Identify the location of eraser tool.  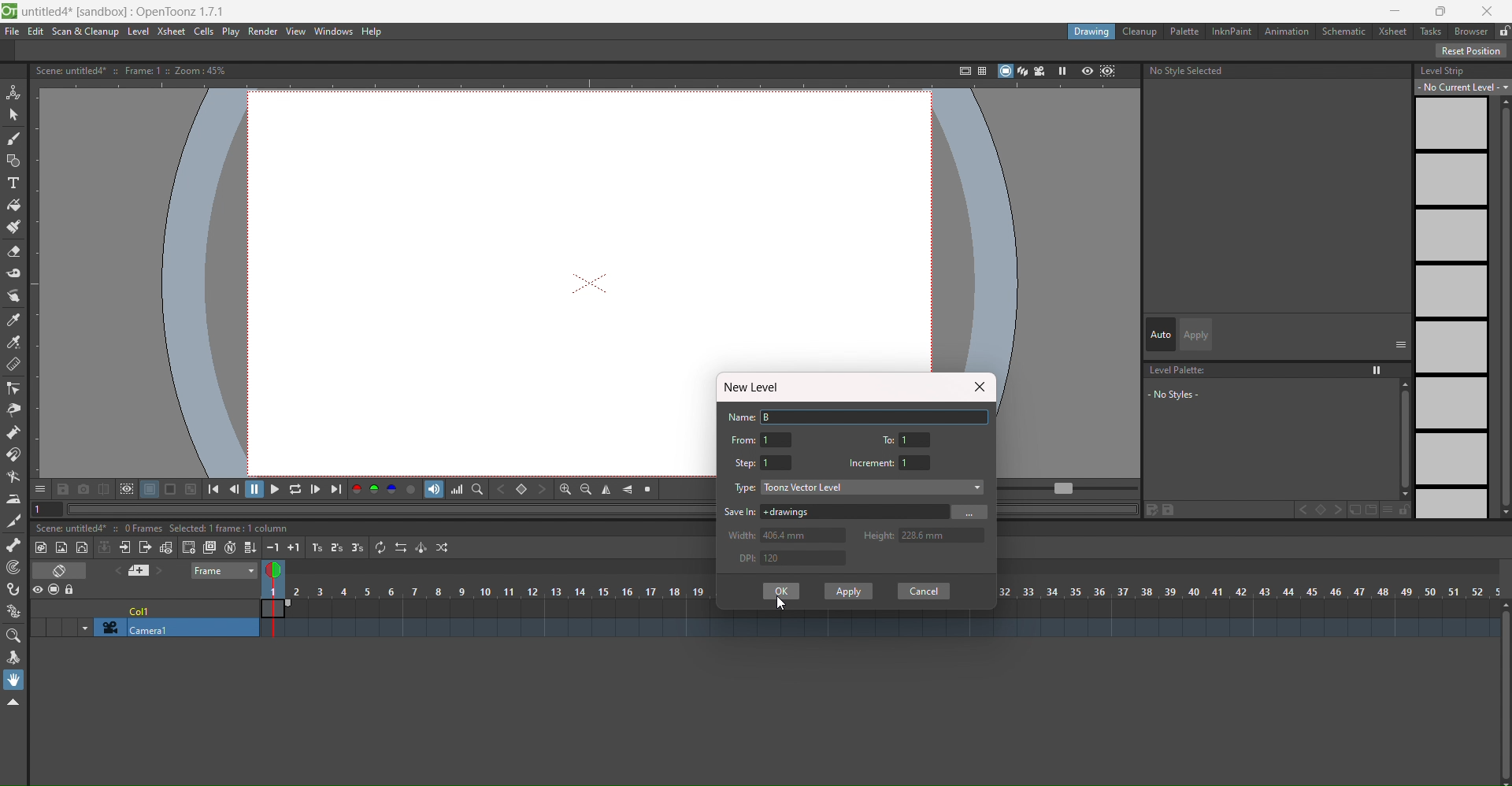
(14, 251).